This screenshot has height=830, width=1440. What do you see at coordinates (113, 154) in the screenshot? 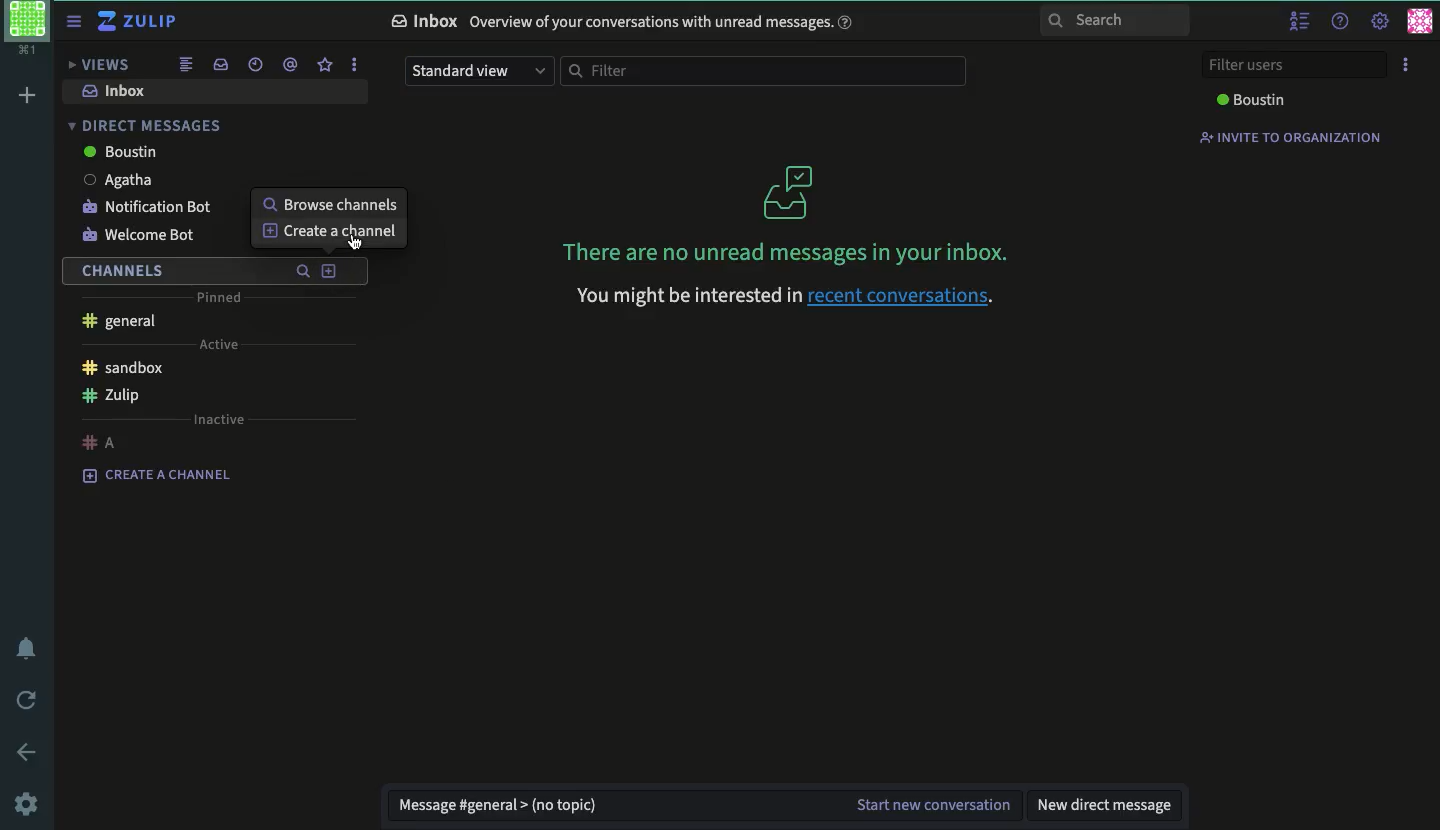
I see `boustin` at bounding box center [113, 154].